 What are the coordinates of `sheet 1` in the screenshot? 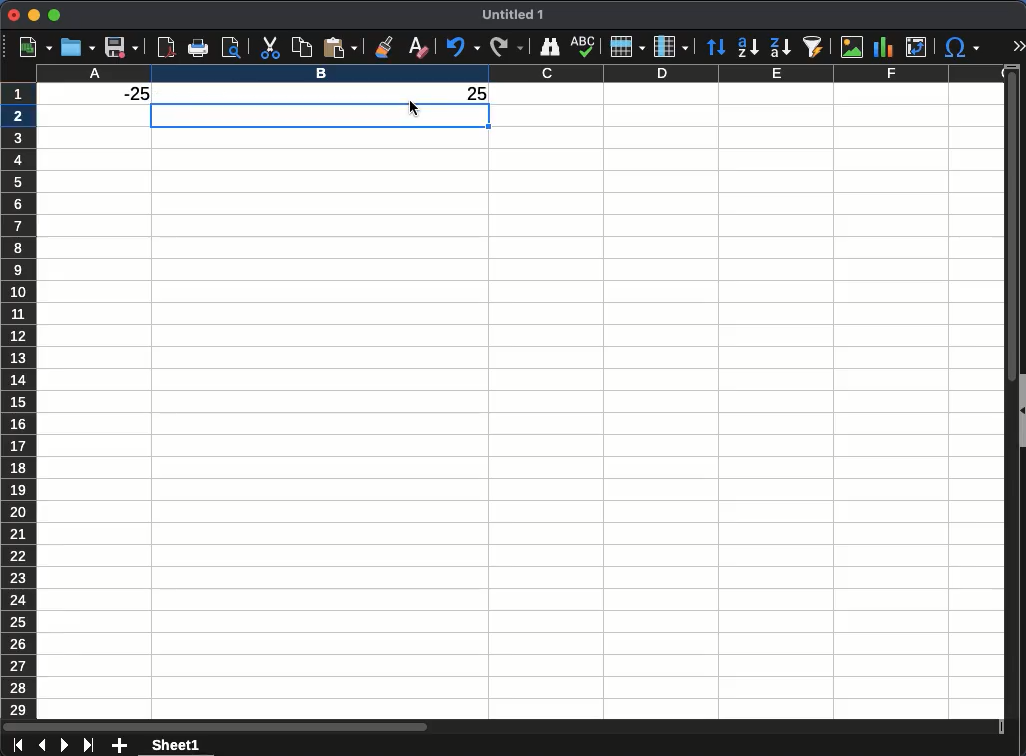 It's located at (174, 744).